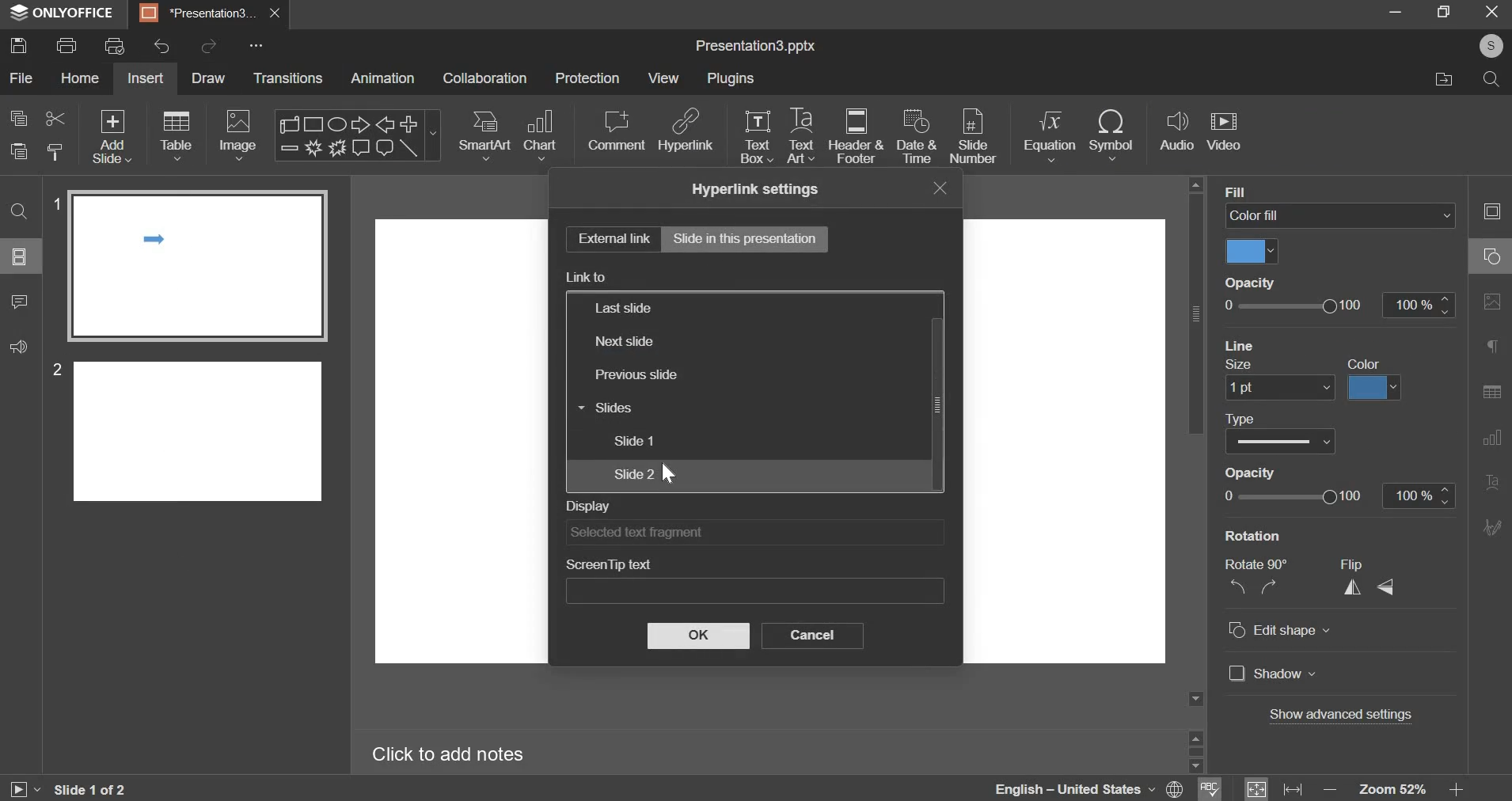 This screenshot has width=1512, height=801. What do you see at coordinates (1374, 389) in the screenshot?
I see `line color` at bounding box center [1374, 389].